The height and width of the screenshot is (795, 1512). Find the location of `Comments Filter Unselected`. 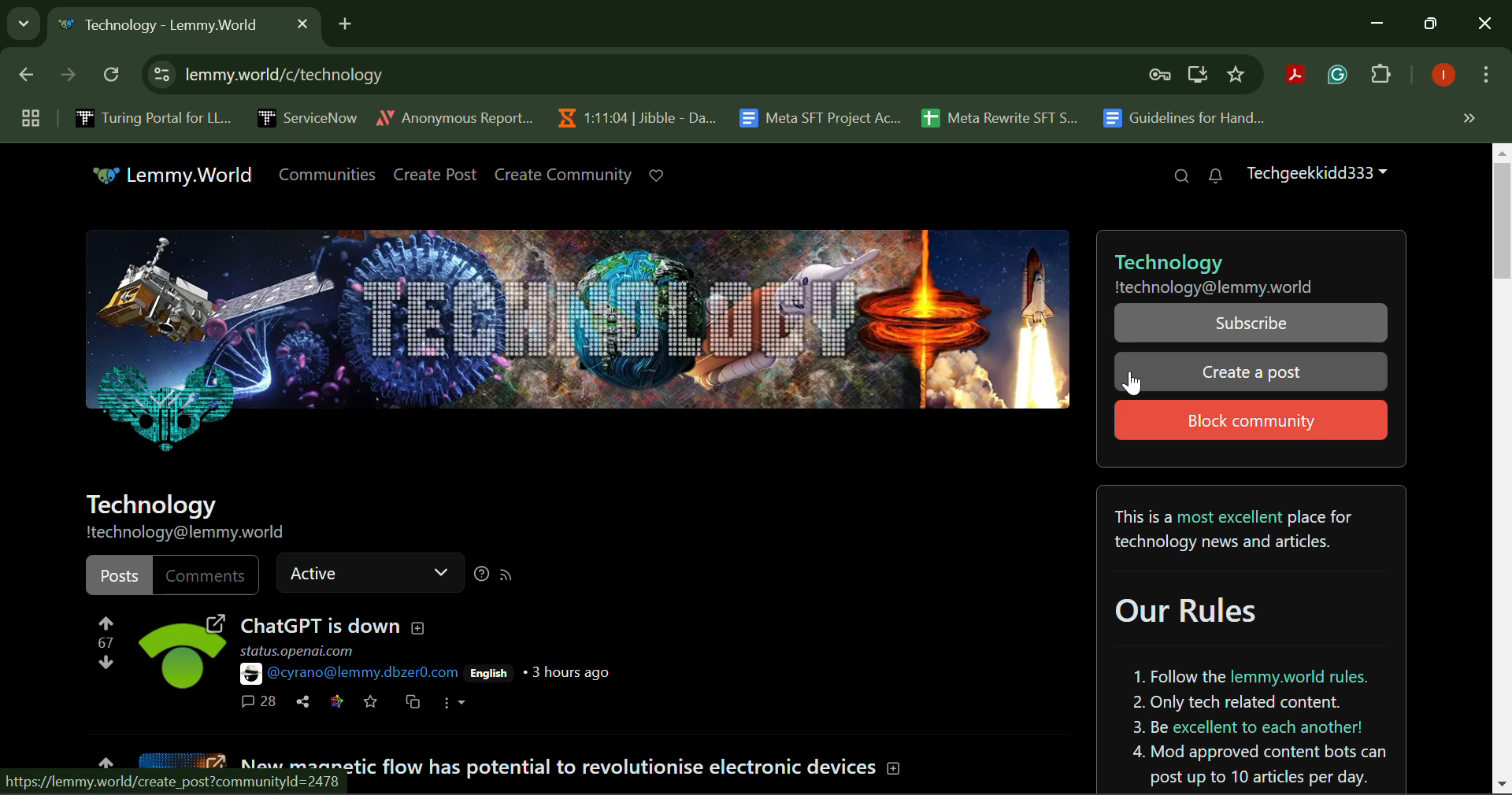

Comments Filter Unselected is located at coordinates (204, 575).